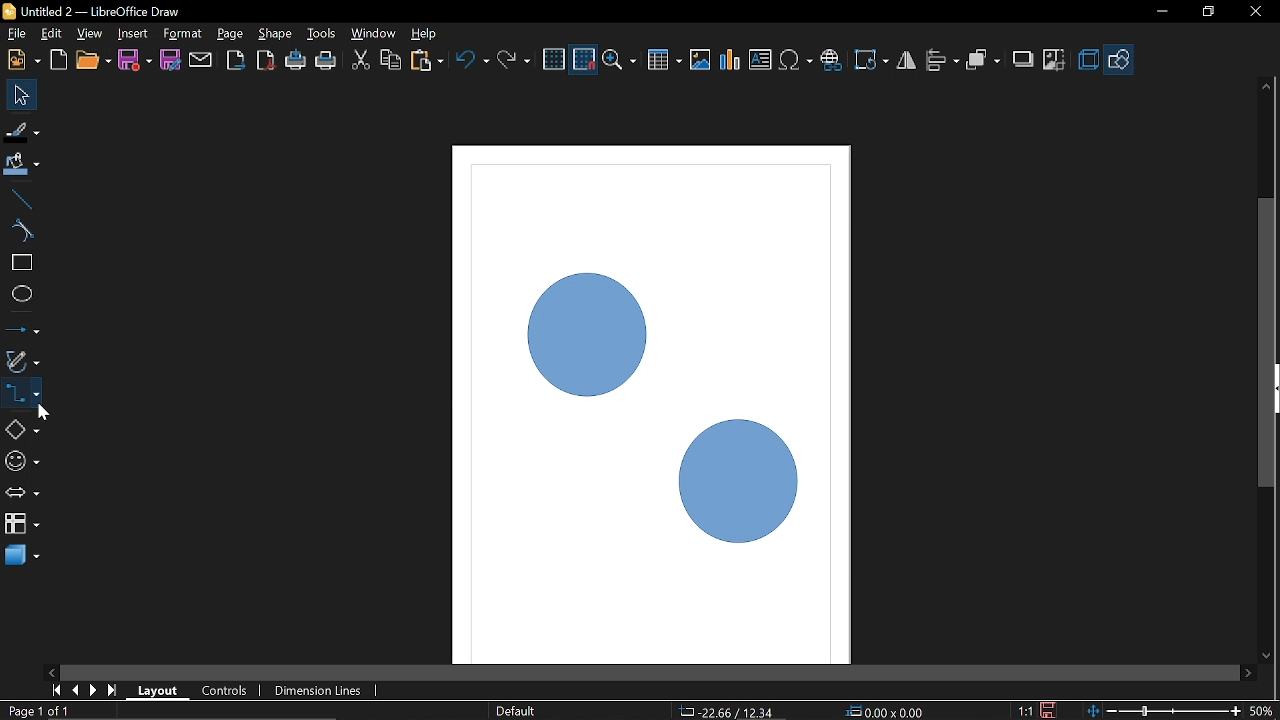 The height and width of the screenshot is (720, 1280). What do you see at coordinates (324, 690) in the screenshot?
I see `Dimension lines` at bounding box center [324, 690].